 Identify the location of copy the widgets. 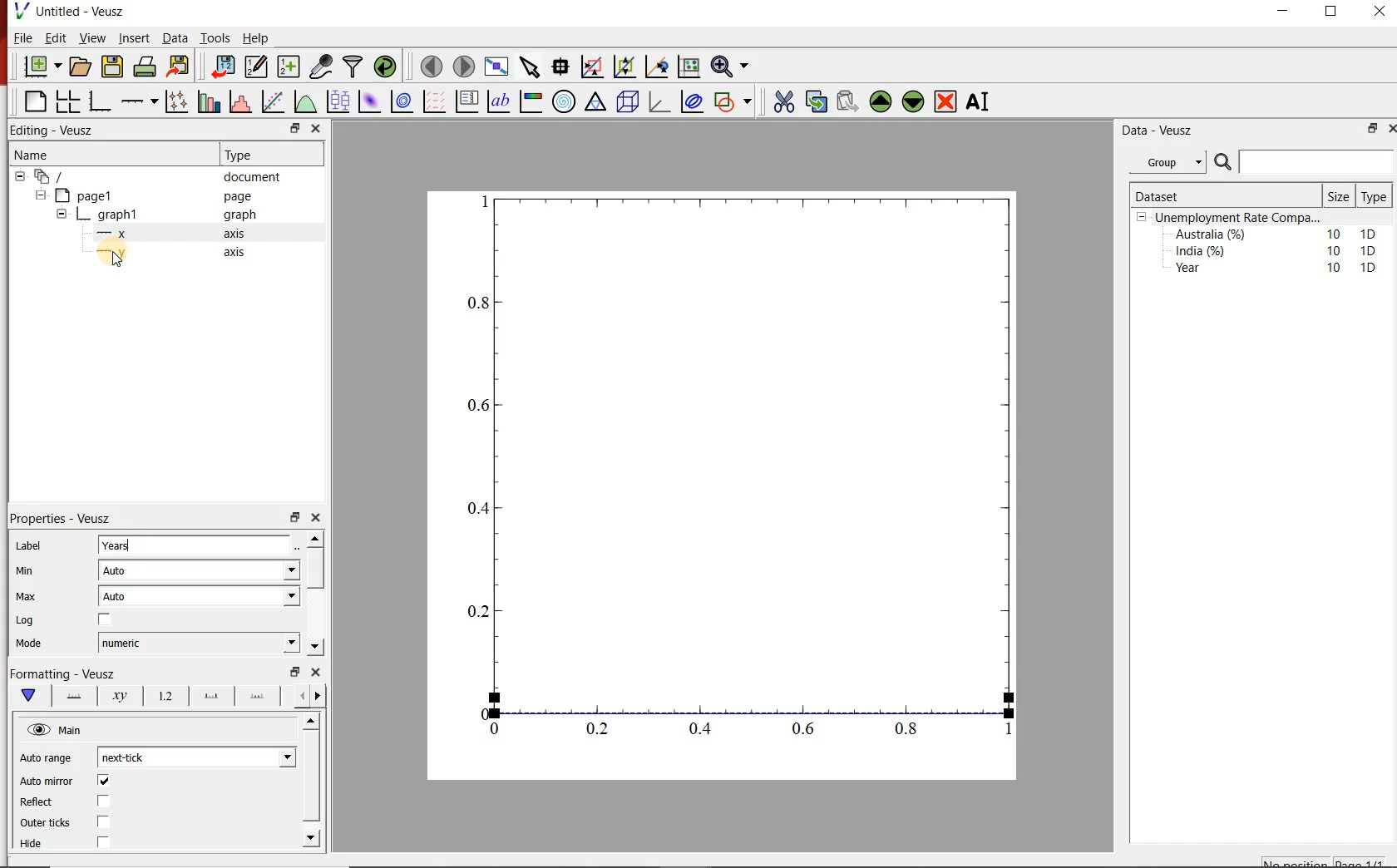
(815, 101).